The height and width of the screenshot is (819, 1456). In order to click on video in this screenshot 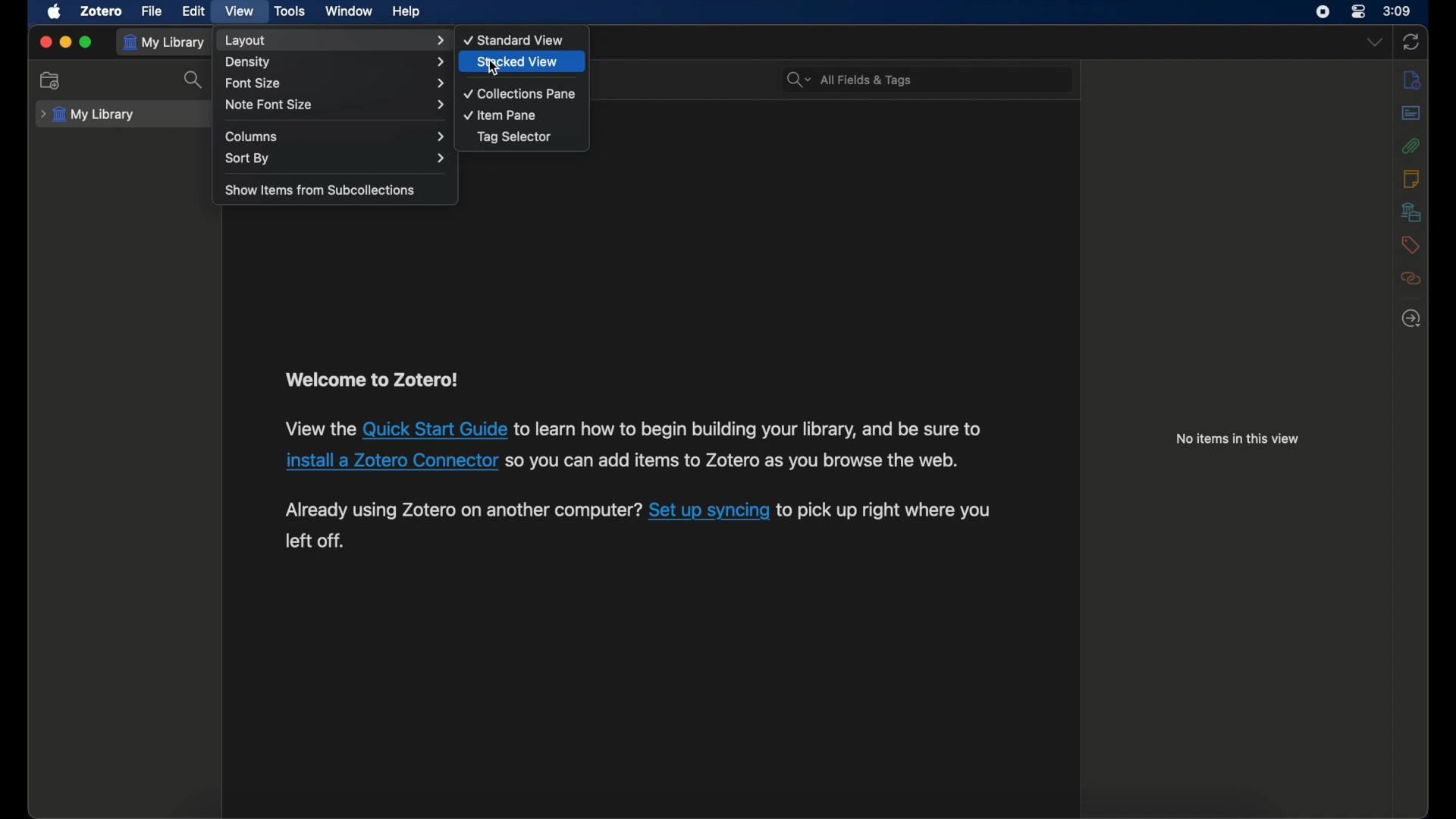, I will do `click(238, 10)`.